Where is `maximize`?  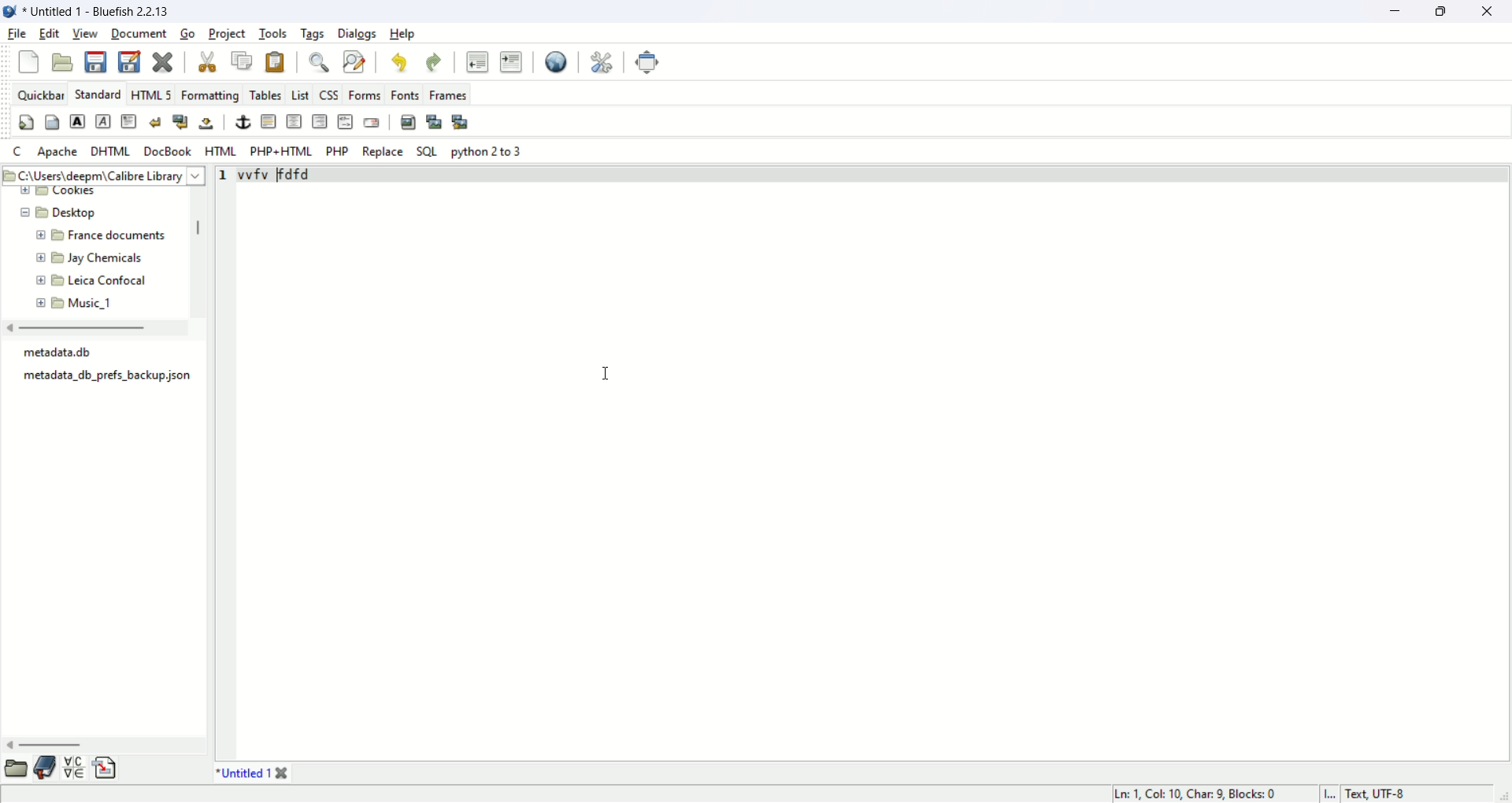
maximize is located at coordinates (1442, 11).